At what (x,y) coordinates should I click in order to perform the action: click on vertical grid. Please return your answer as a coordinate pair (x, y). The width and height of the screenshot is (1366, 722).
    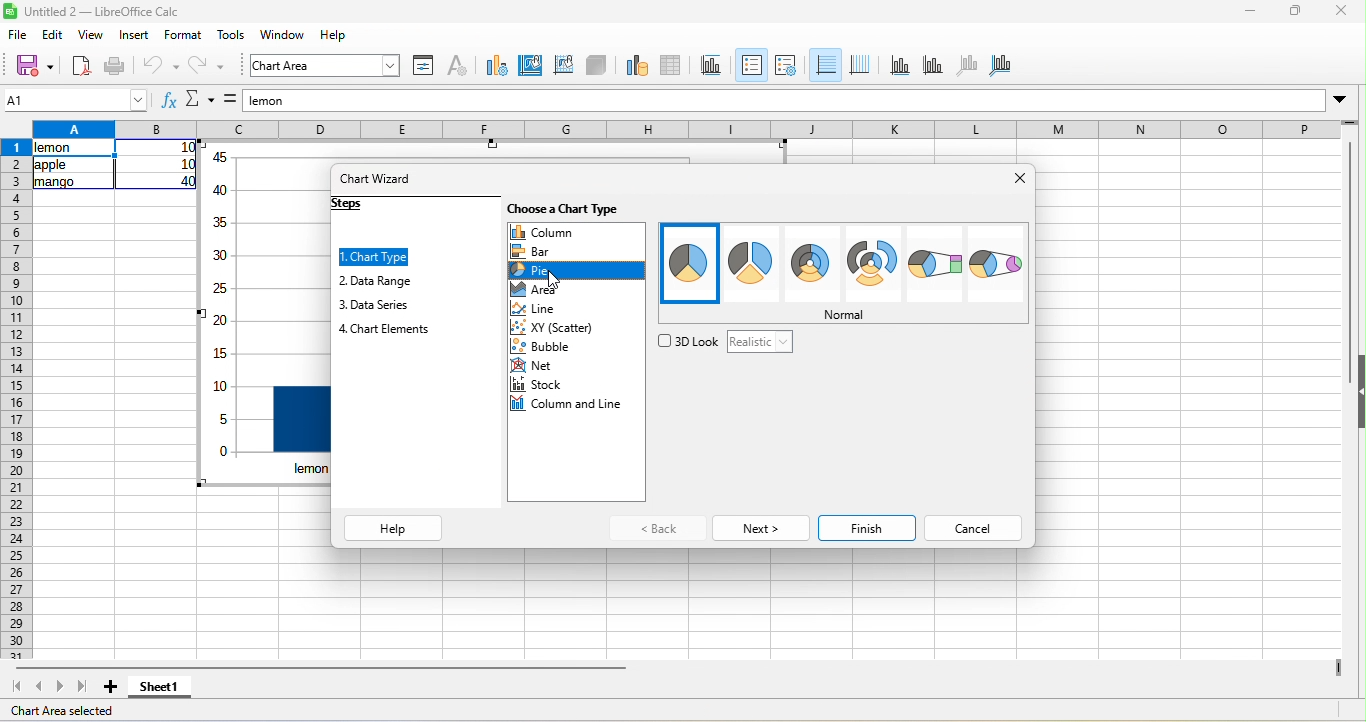
    Looking at the image, I should click on (864, 67).